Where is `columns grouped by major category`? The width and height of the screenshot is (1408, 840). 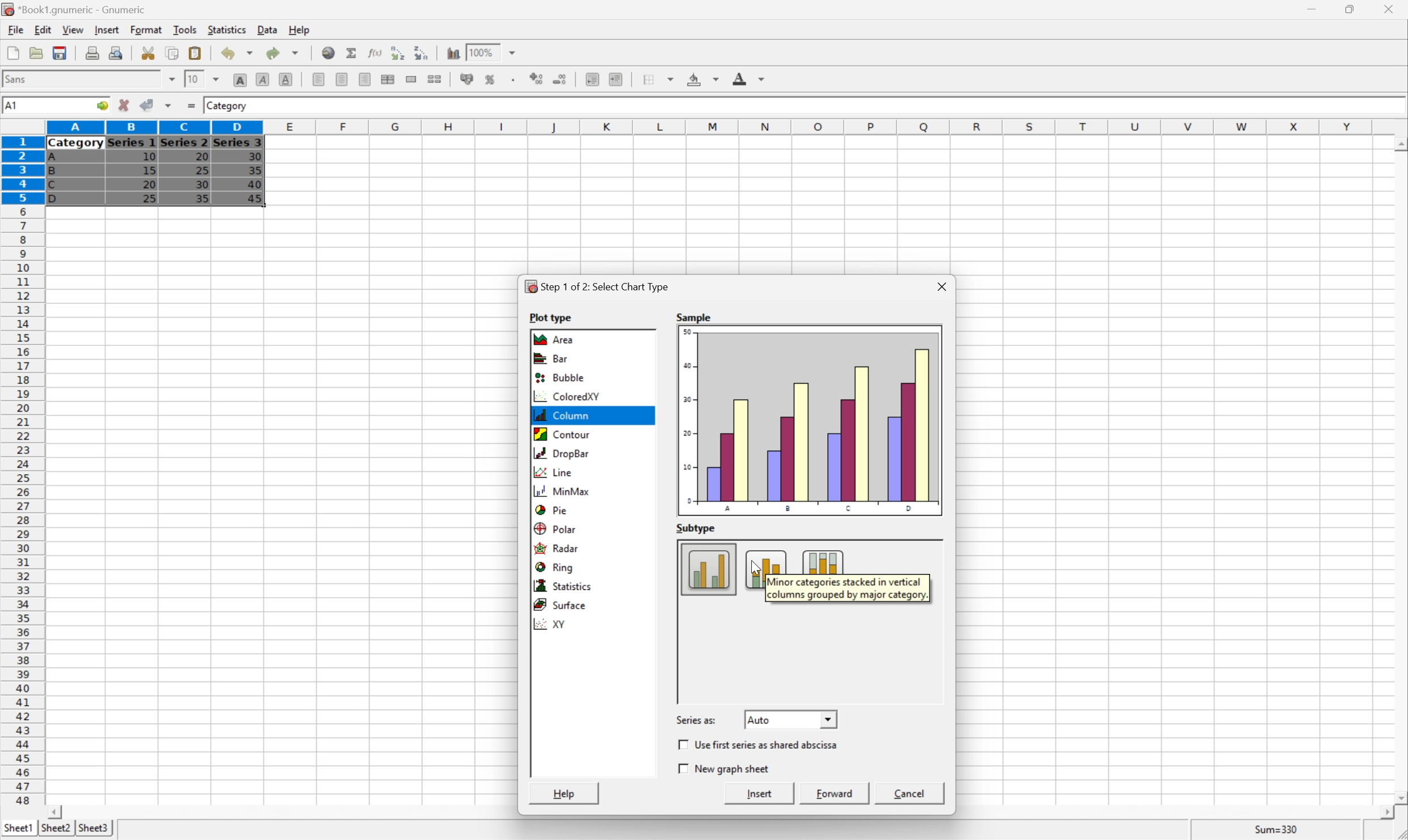
columns grouped by major category is located at coordinates (849, 597).